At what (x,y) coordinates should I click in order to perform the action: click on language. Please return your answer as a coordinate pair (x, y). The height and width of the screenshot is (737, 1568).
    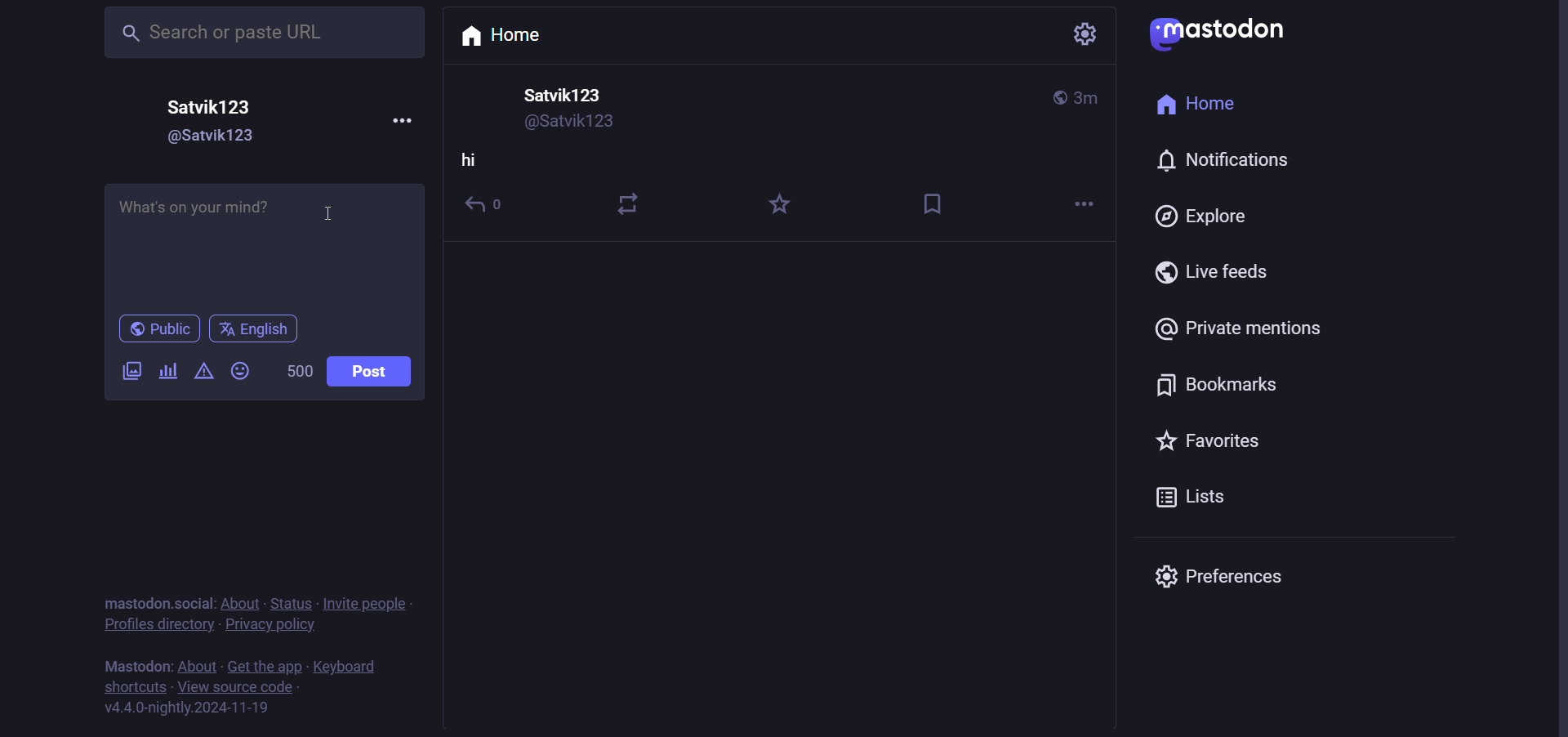
    Looking at the image, I should click on (254, 331).